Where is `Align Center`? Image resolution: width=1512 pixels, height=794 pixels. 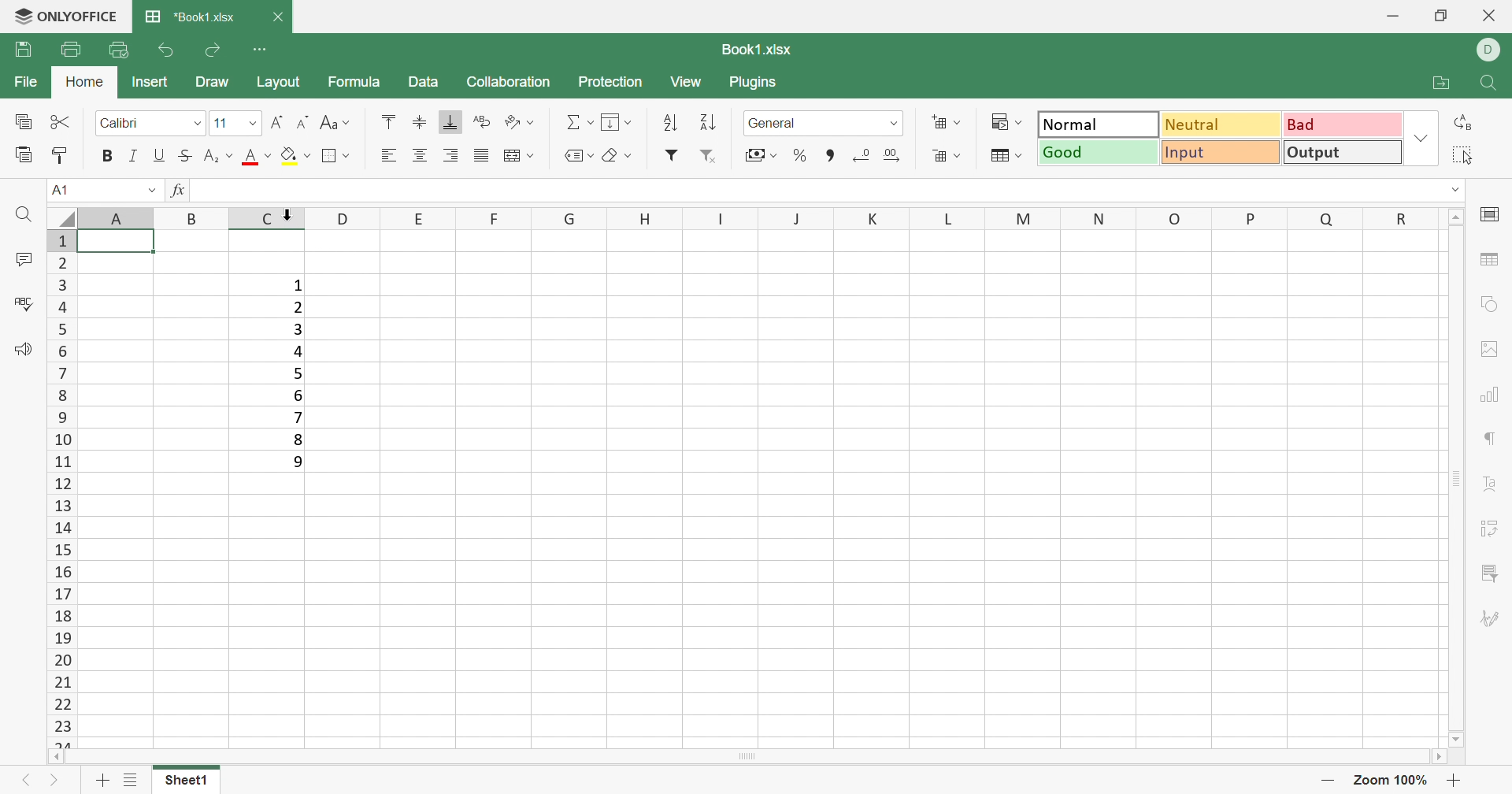
Align Center is located at coordinates (420, 153).